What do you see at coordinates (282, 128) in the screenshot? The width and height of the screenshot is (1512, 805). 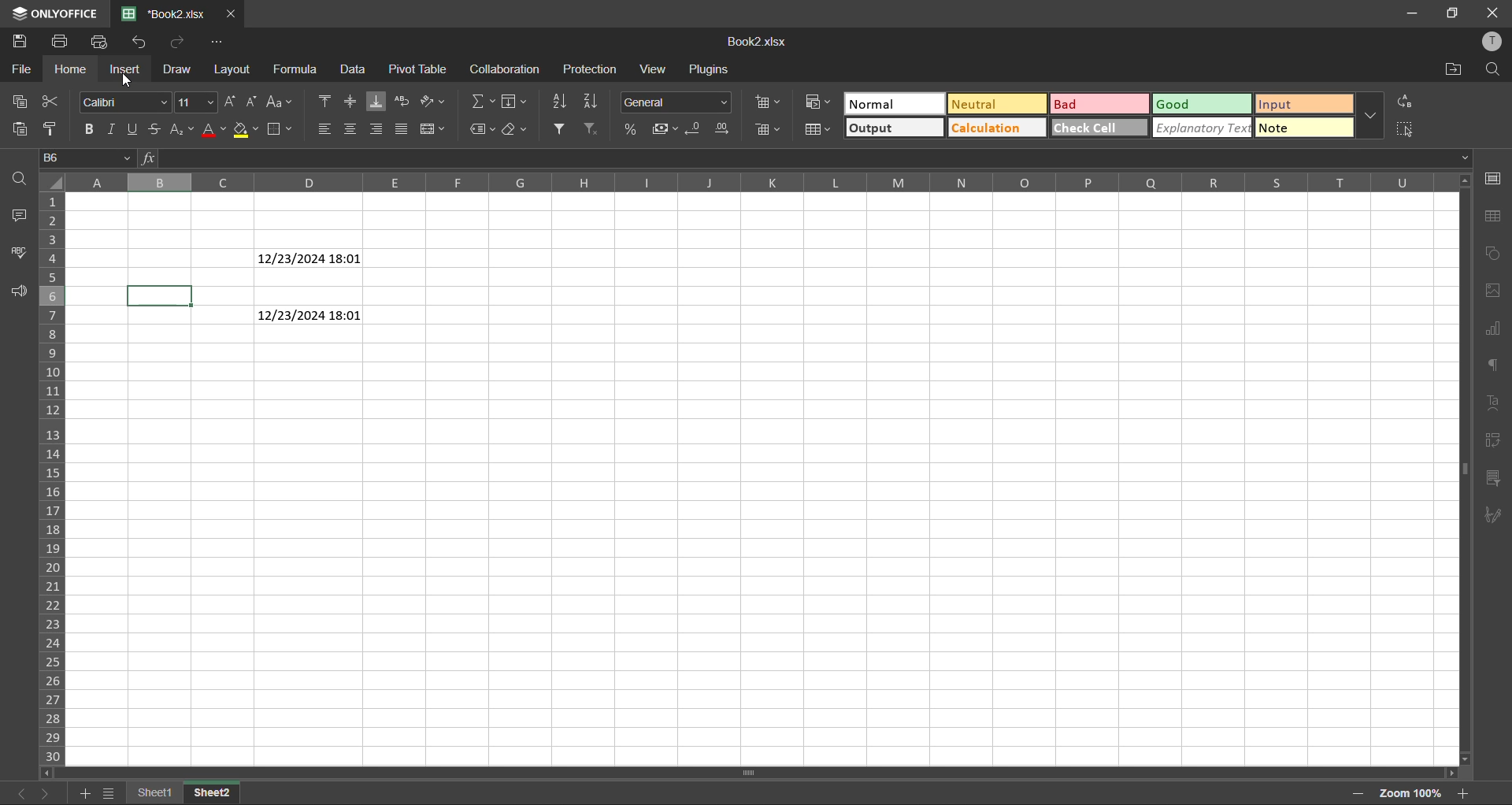 I see `borders` at bounding box center [282, 128].